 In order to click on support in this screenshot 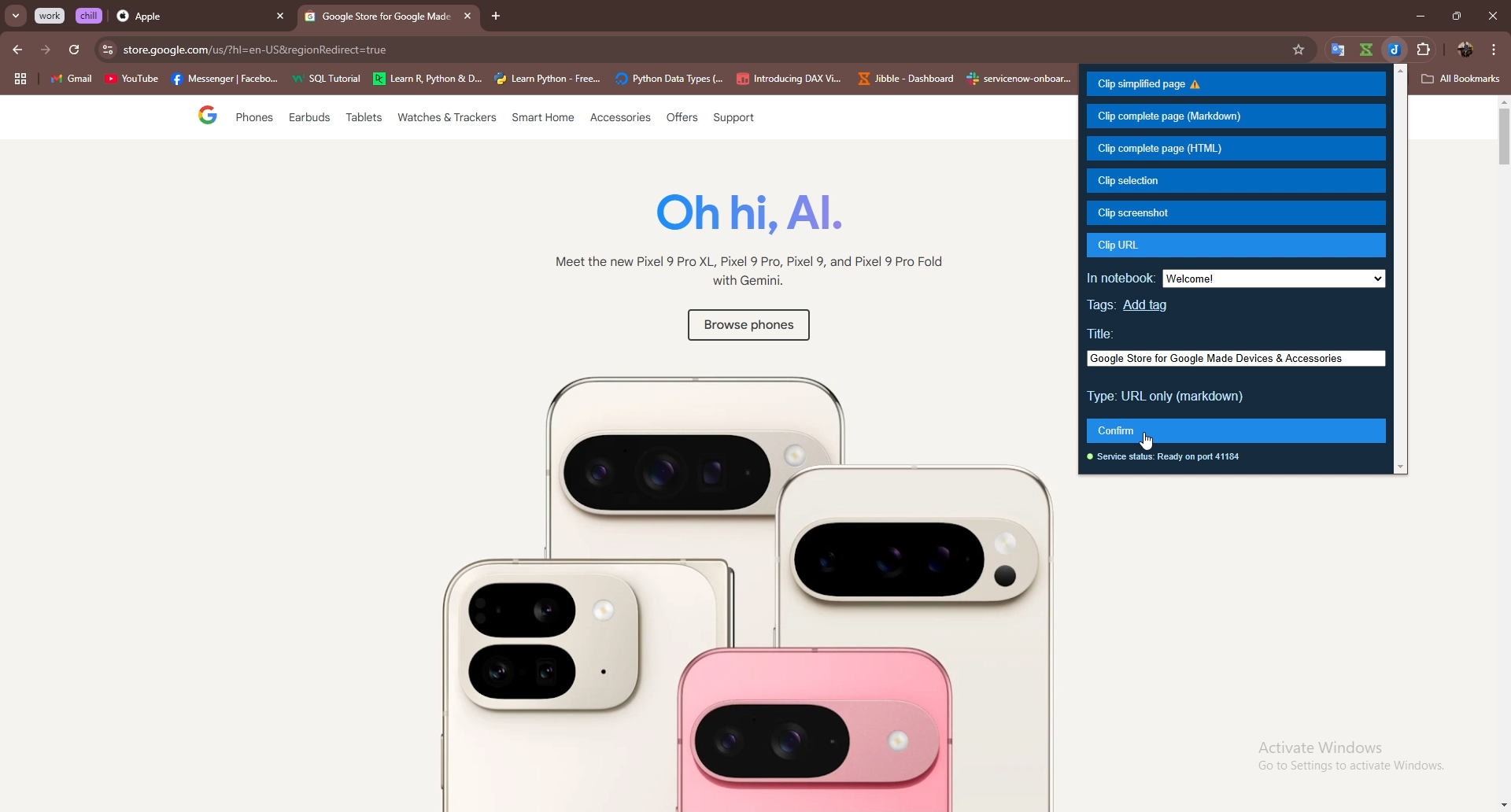, I will do `click(733, 119)`.